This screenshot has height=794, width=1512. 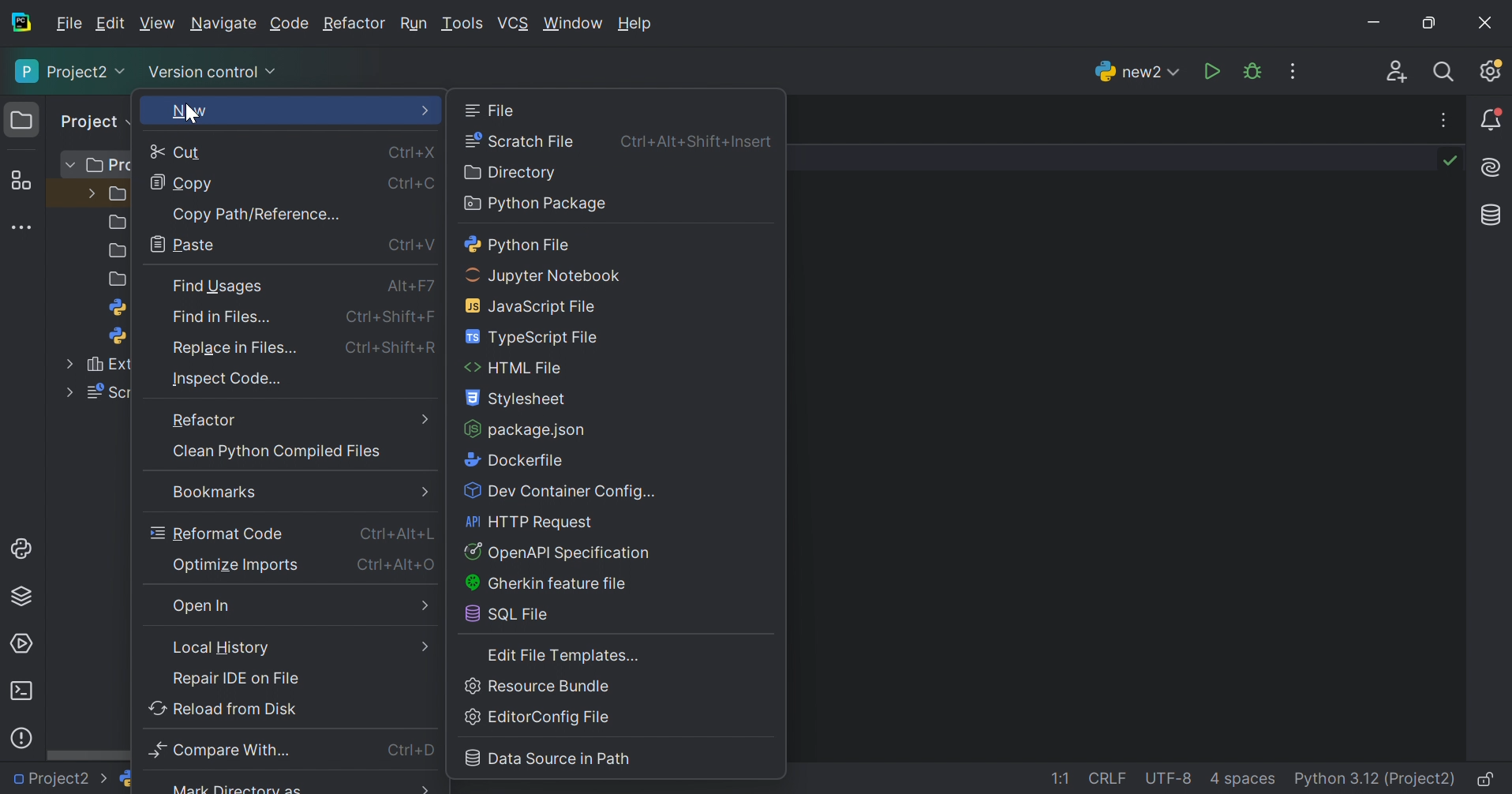 What do you see at coordinates (219, 287) in the screenshot?
I see `Find usages` at bounding box center [219, 287].